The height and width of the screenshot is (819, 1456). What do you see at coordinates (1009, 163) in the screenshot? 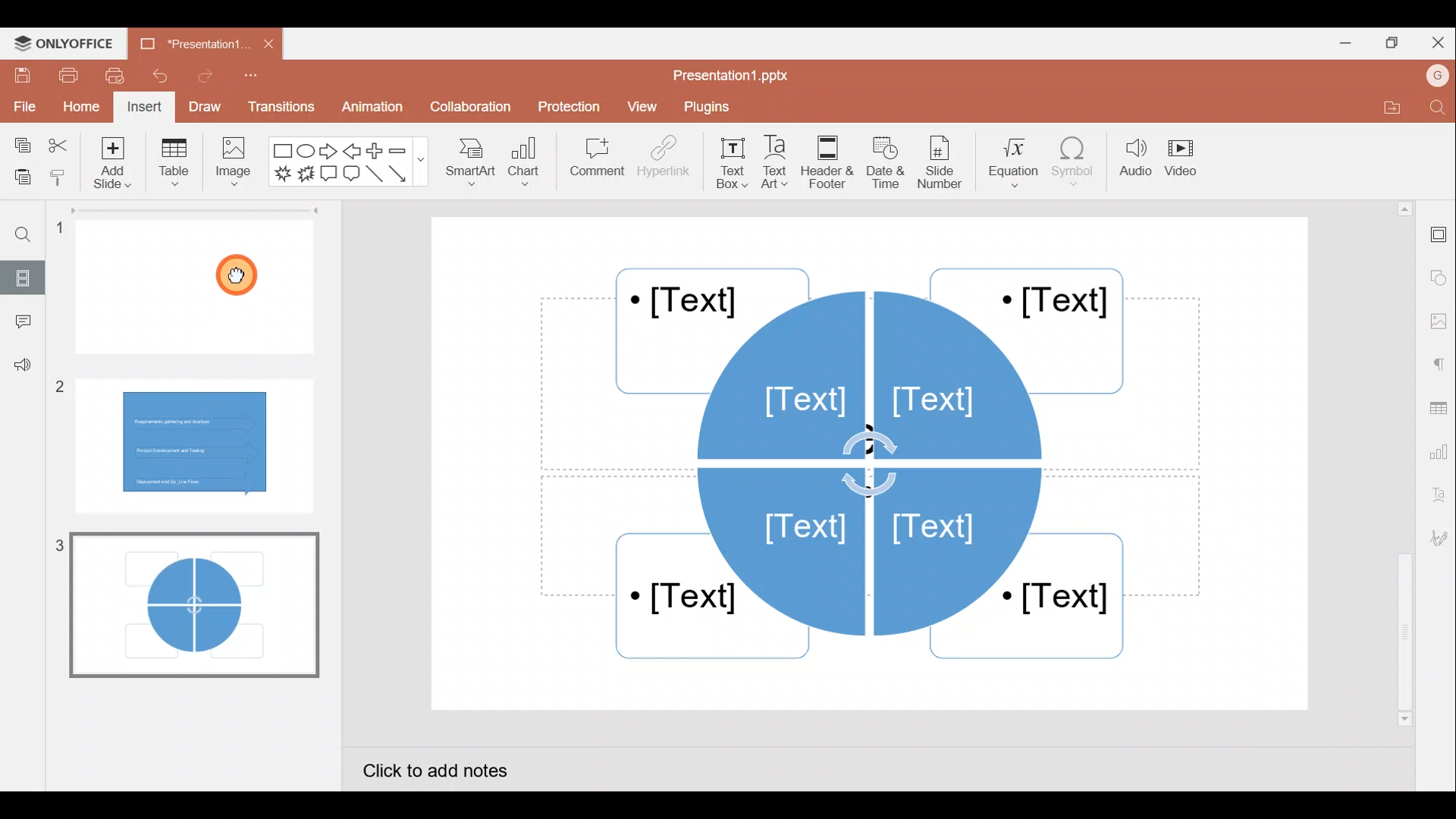
I see `Equation` at bounding box center [1009, 163].